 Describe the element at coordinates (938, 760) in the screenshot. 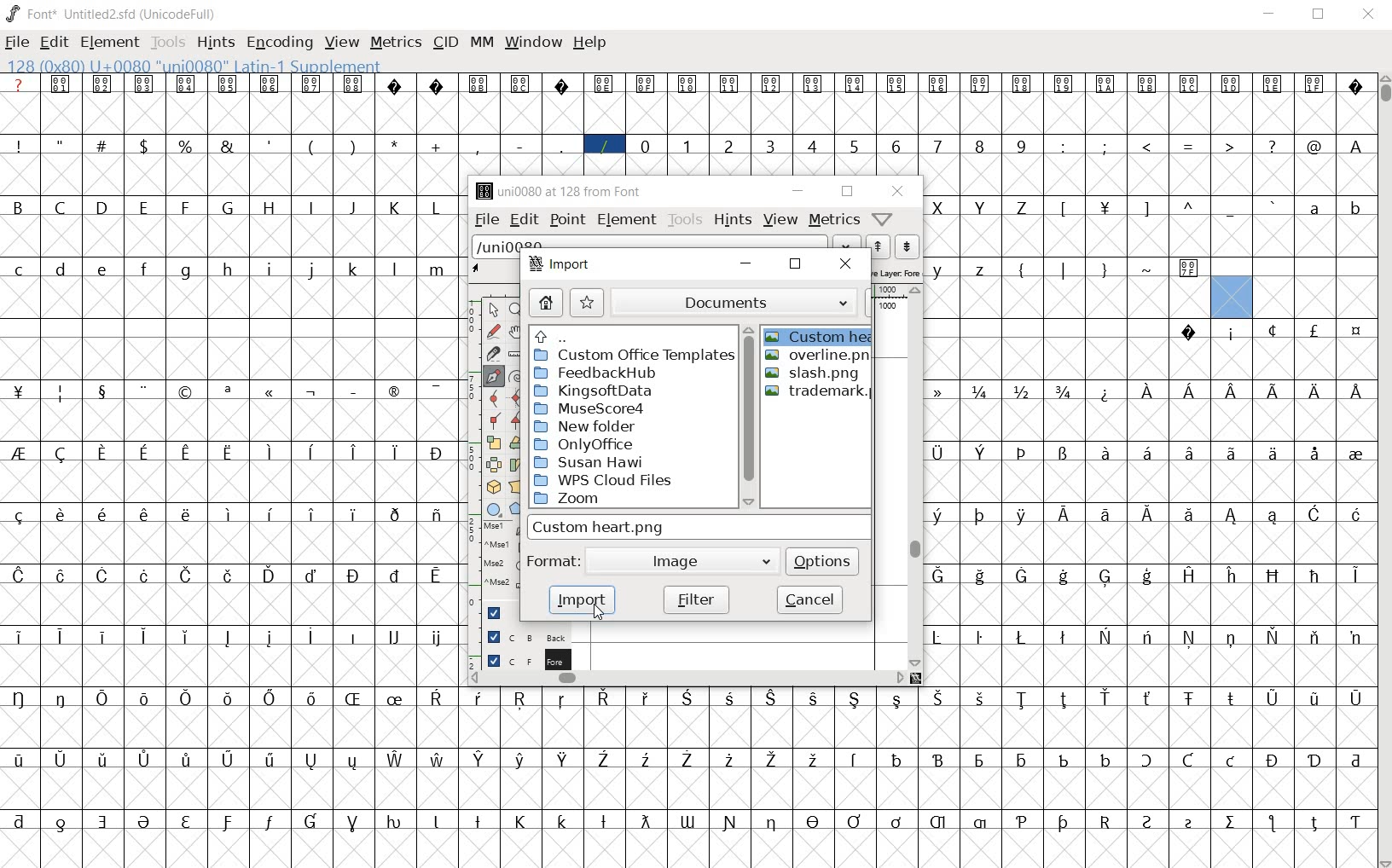

I see `glyph` at that location.